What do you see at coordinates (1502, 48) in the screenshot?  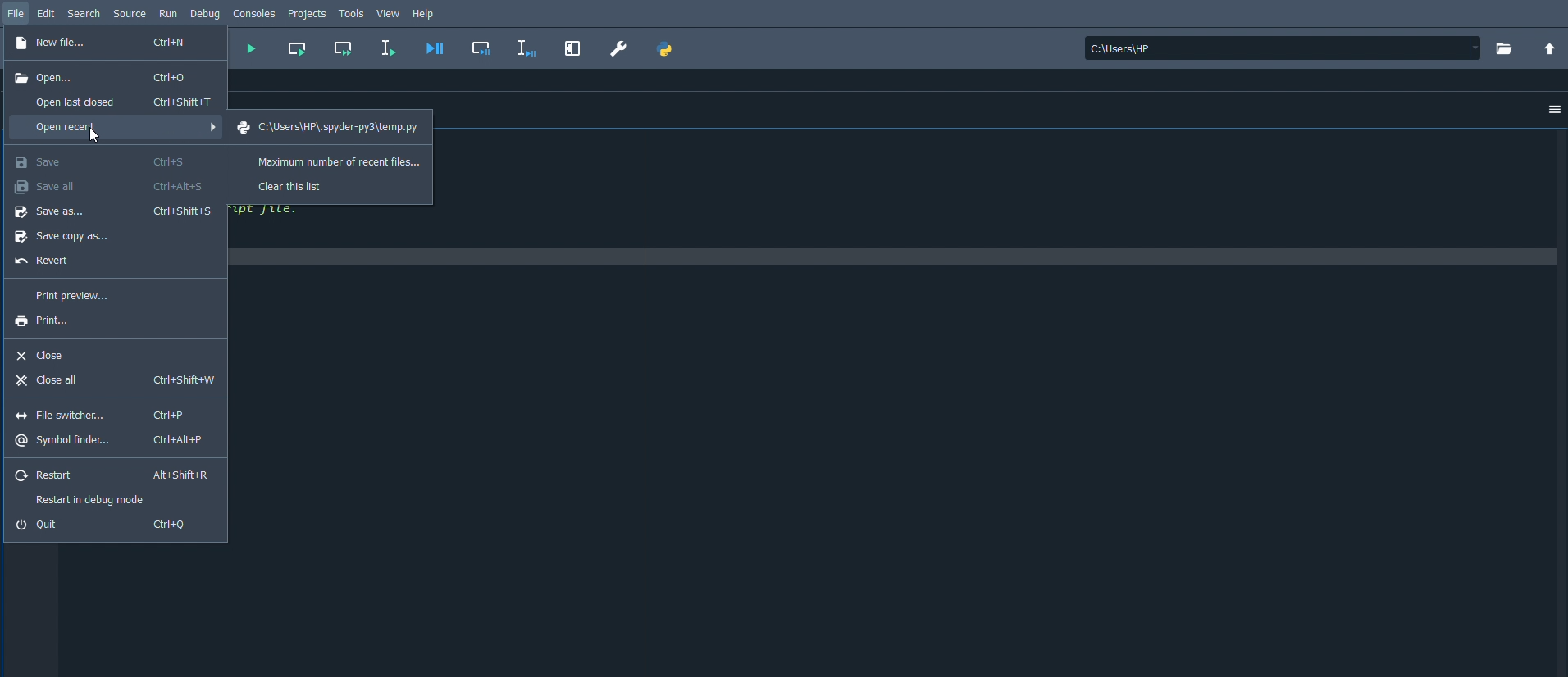 I see `Browse a working directory` at bounding box center [1502, 48].